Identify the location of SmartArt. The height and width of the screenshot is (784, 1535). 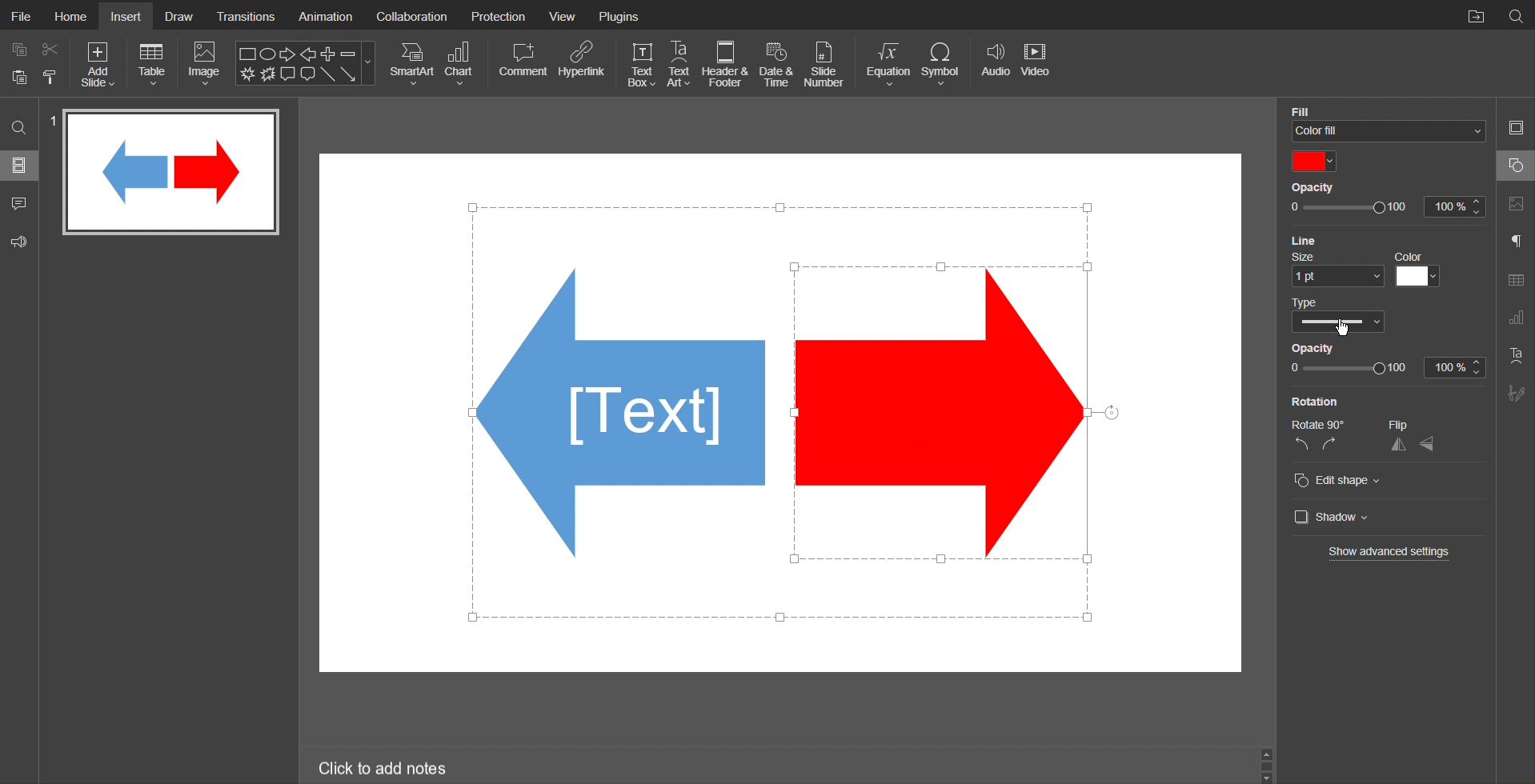
(411, 64).